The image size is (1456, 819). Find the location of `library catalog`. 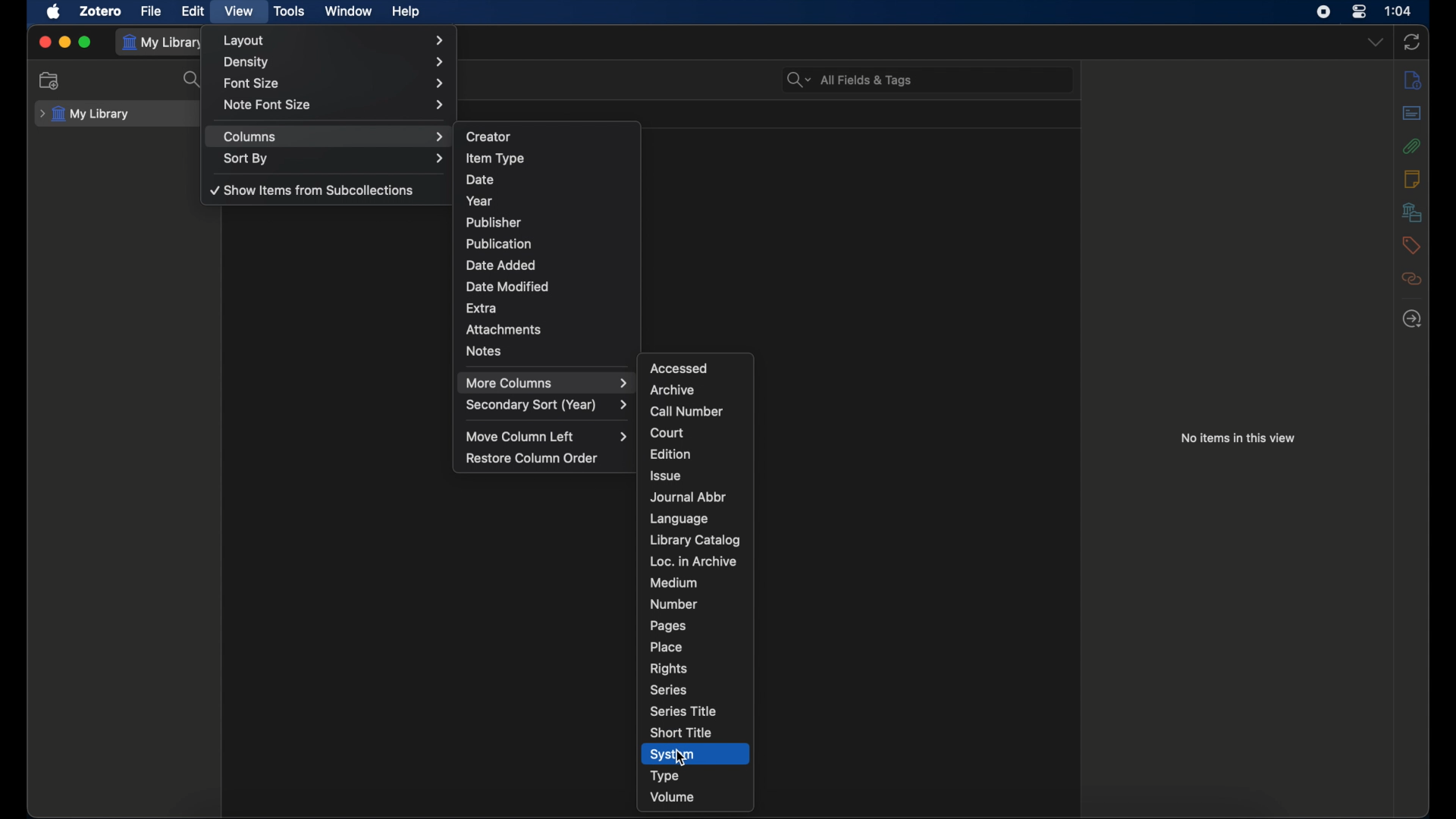

library catalog is located at coordinates (695, 540).